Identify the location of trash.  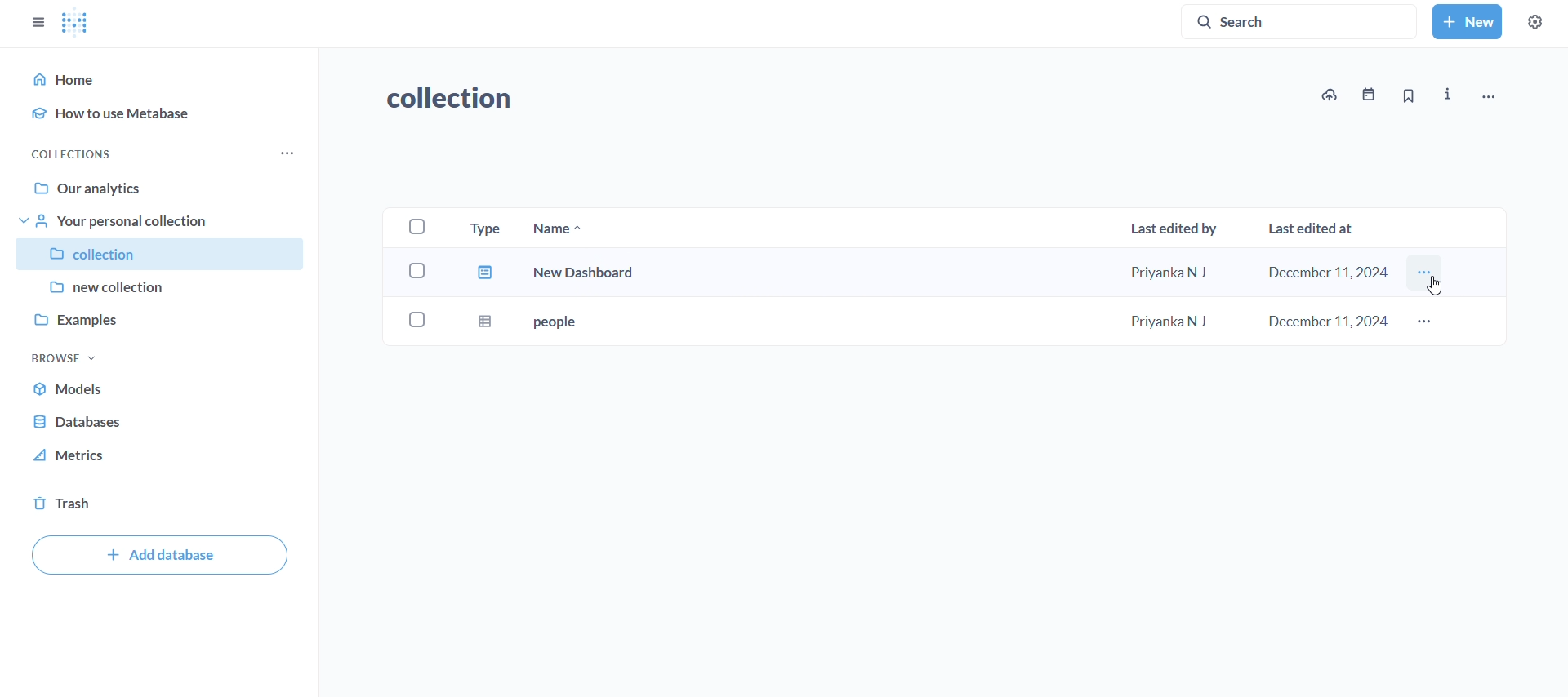
(62, 501).